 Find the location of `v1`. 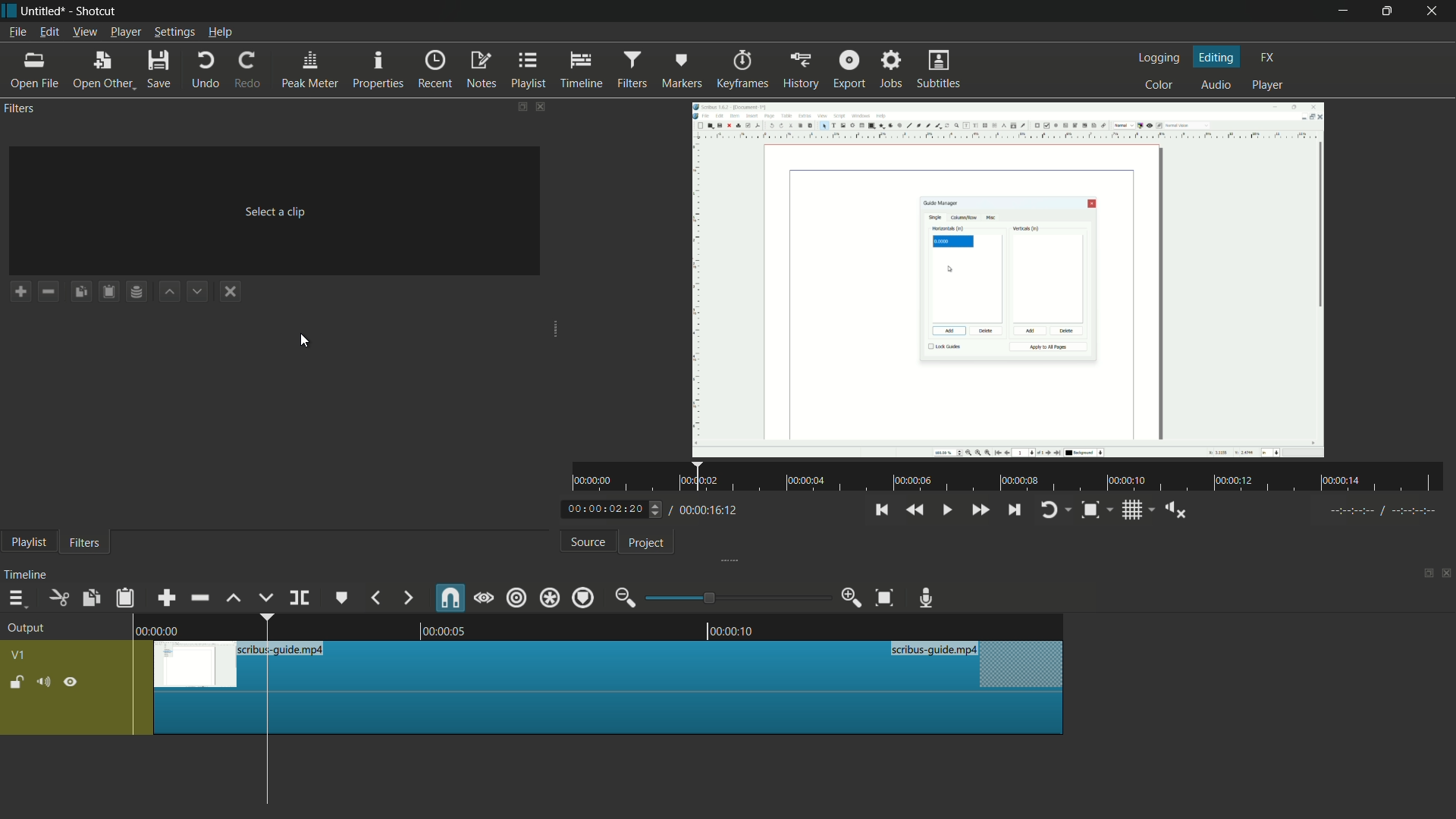

v1 is located at coordinates (19, 655).